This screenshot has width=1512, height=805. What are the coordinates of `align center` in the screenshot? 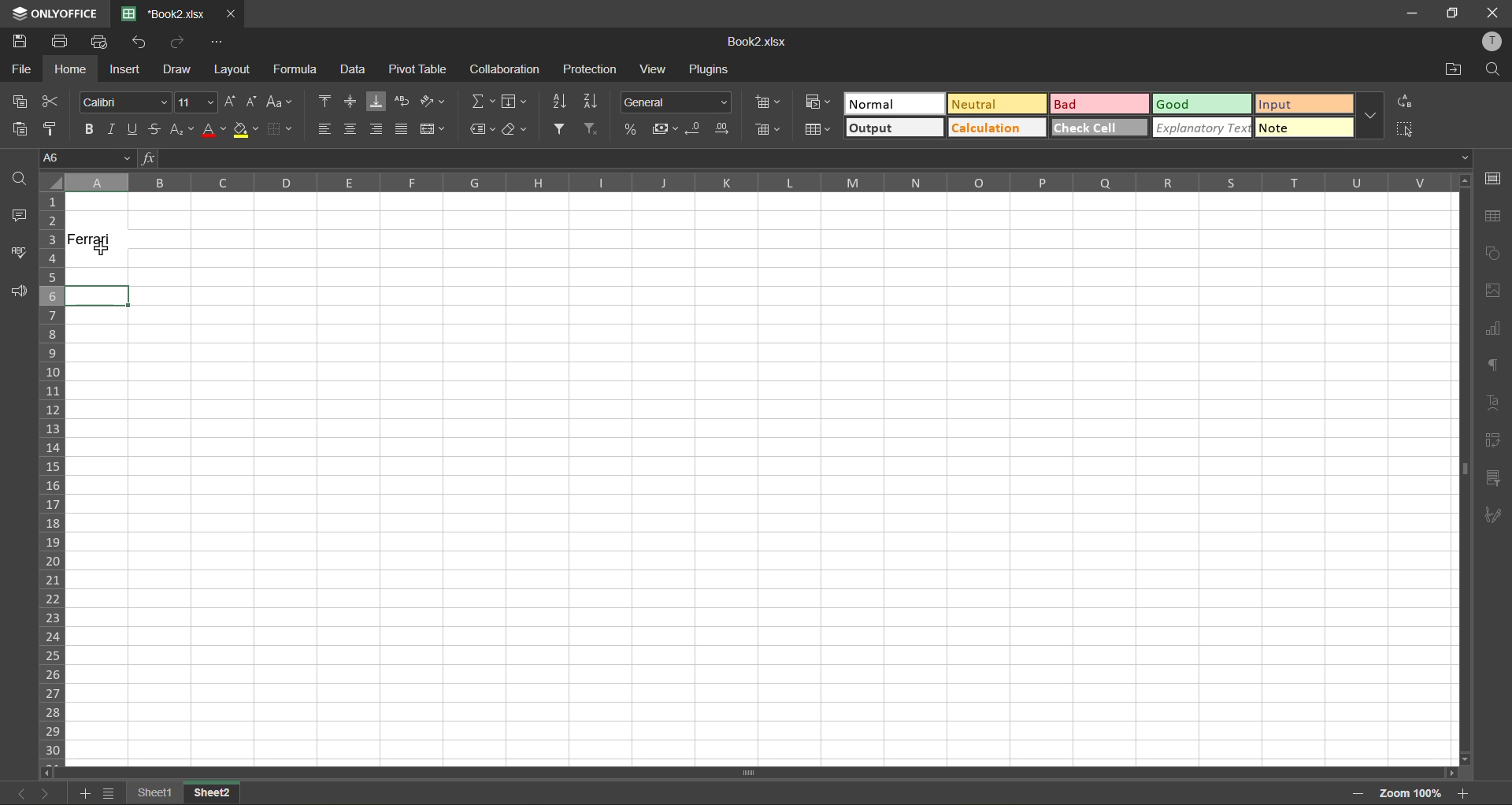 It's located at (352, 129).